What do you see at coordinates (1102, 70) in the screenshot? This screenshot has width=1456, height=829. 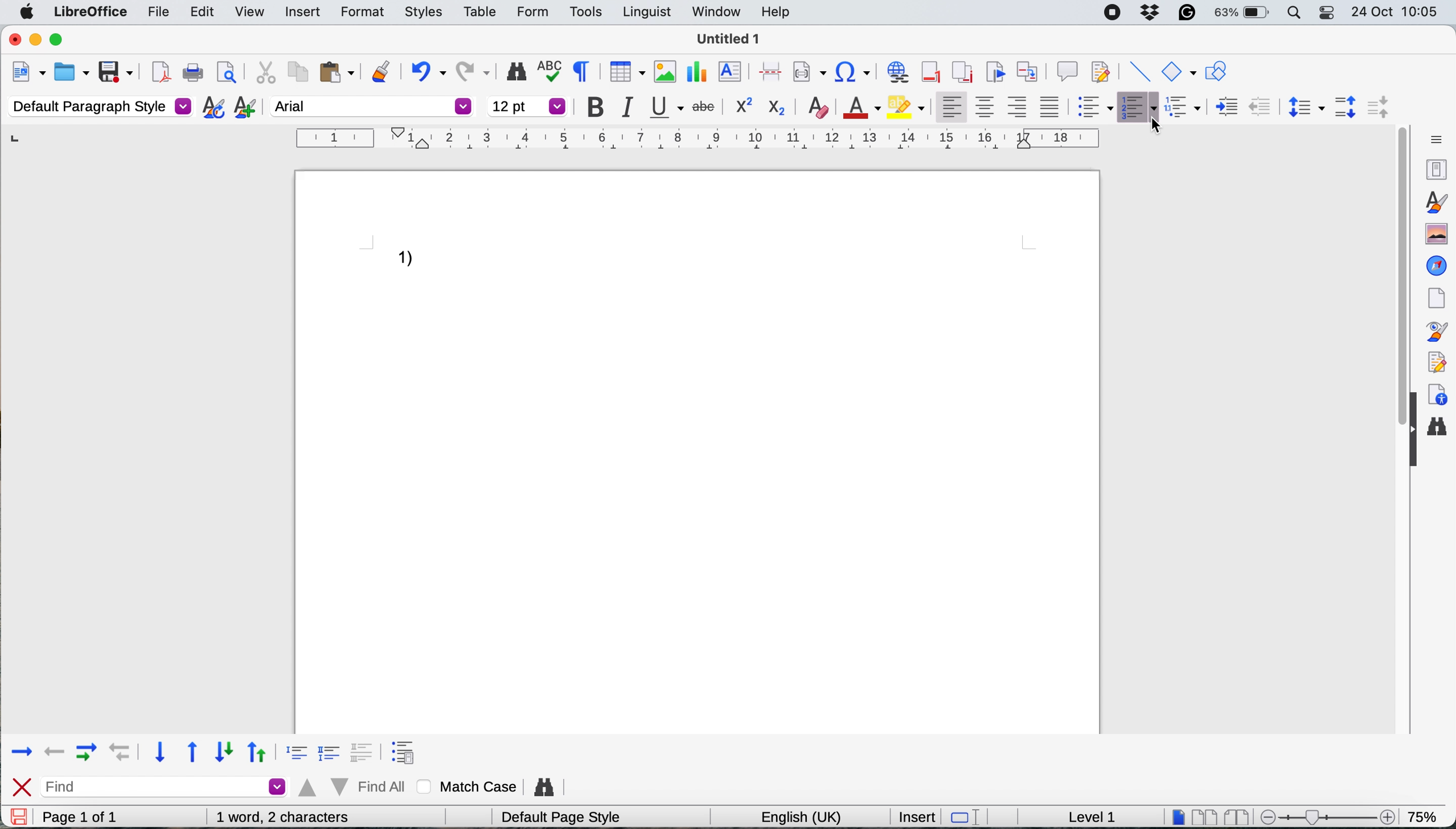 I see `show track changes functions` at bounding box center [1102, 70].